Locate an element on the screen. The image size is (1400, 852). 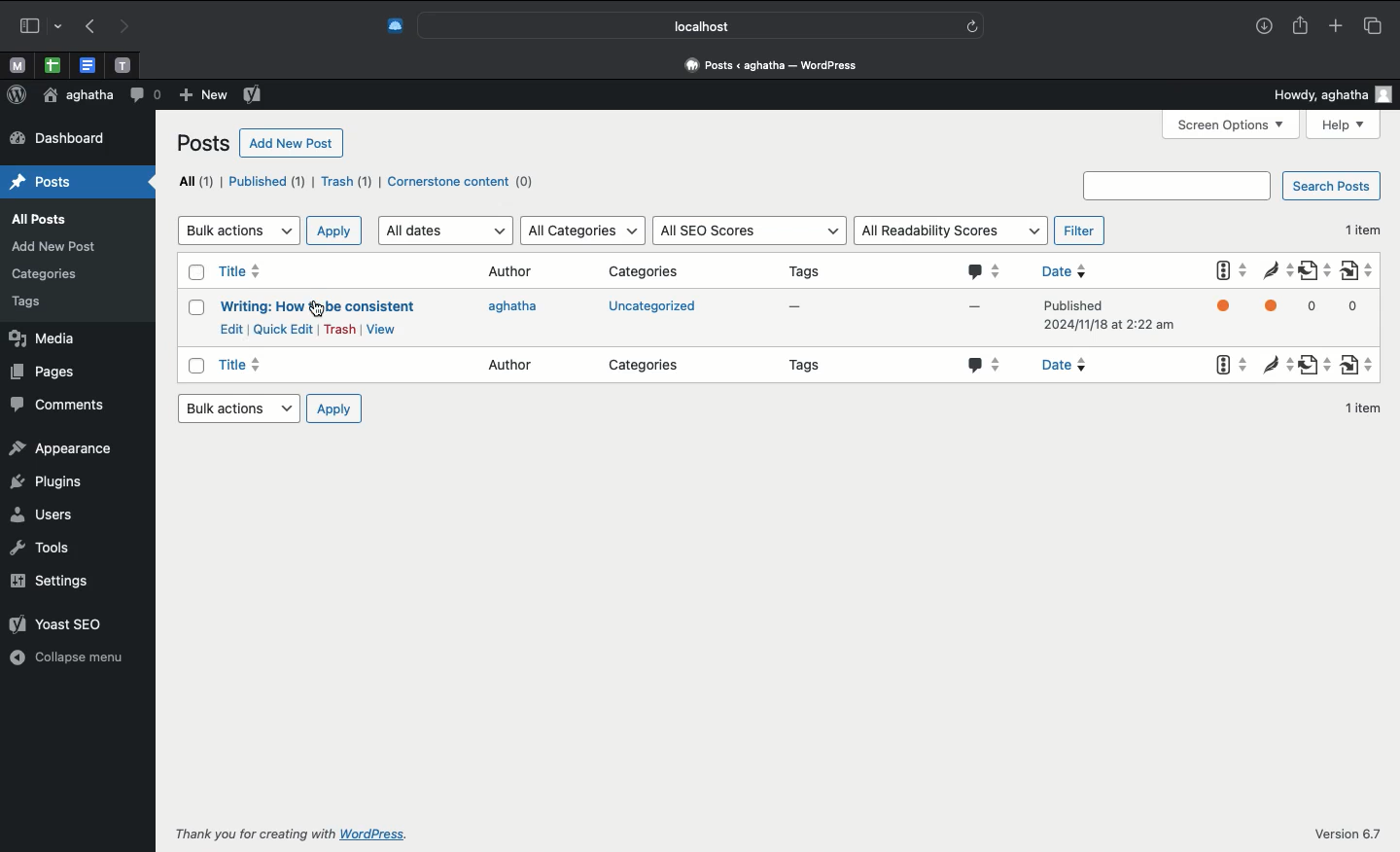
Apply is located at coordinates (335, 408).